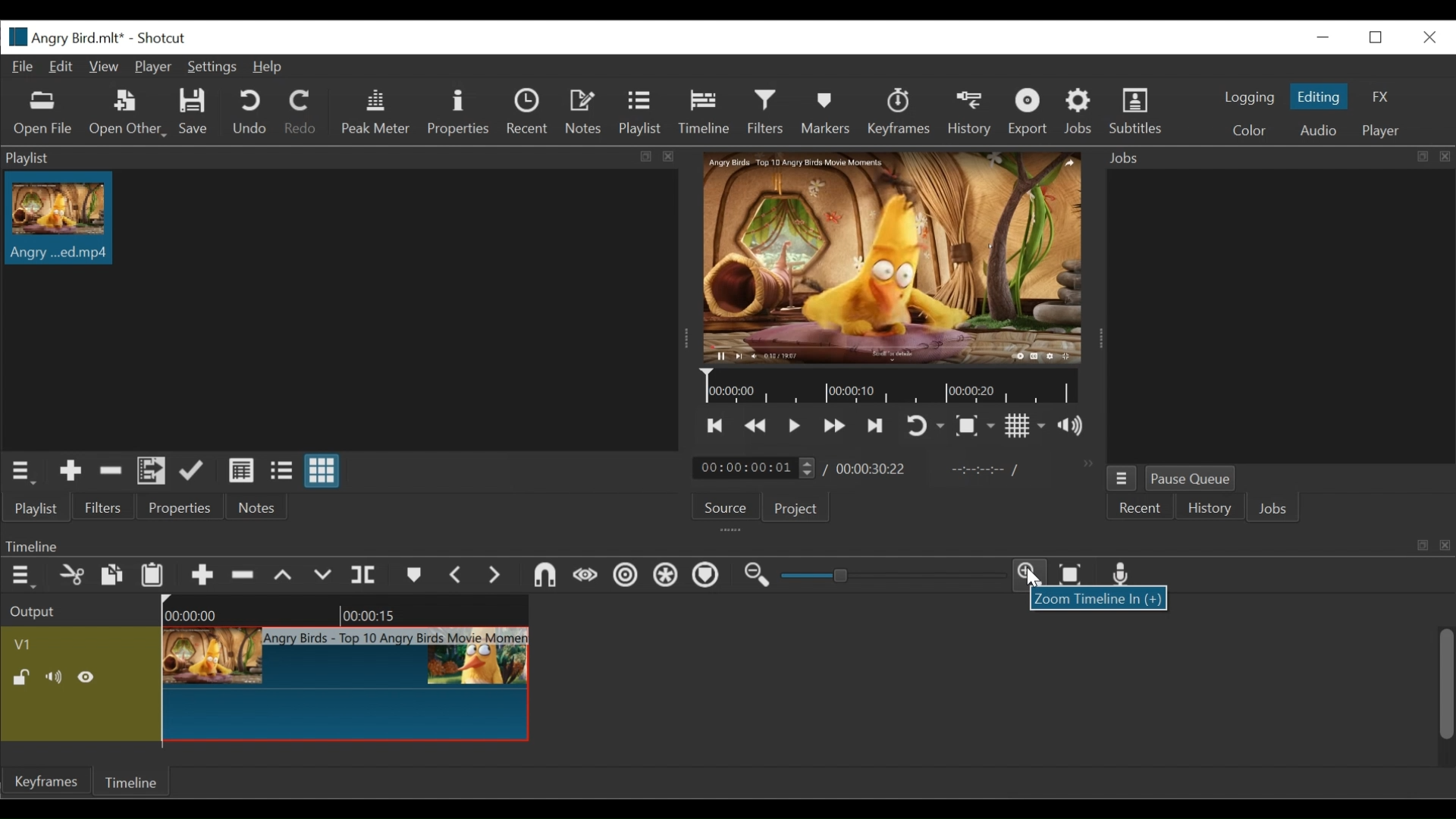 The height and width of the screenshot is (819, 1456). I want to click on Toggle zoom, so click(974, 425).